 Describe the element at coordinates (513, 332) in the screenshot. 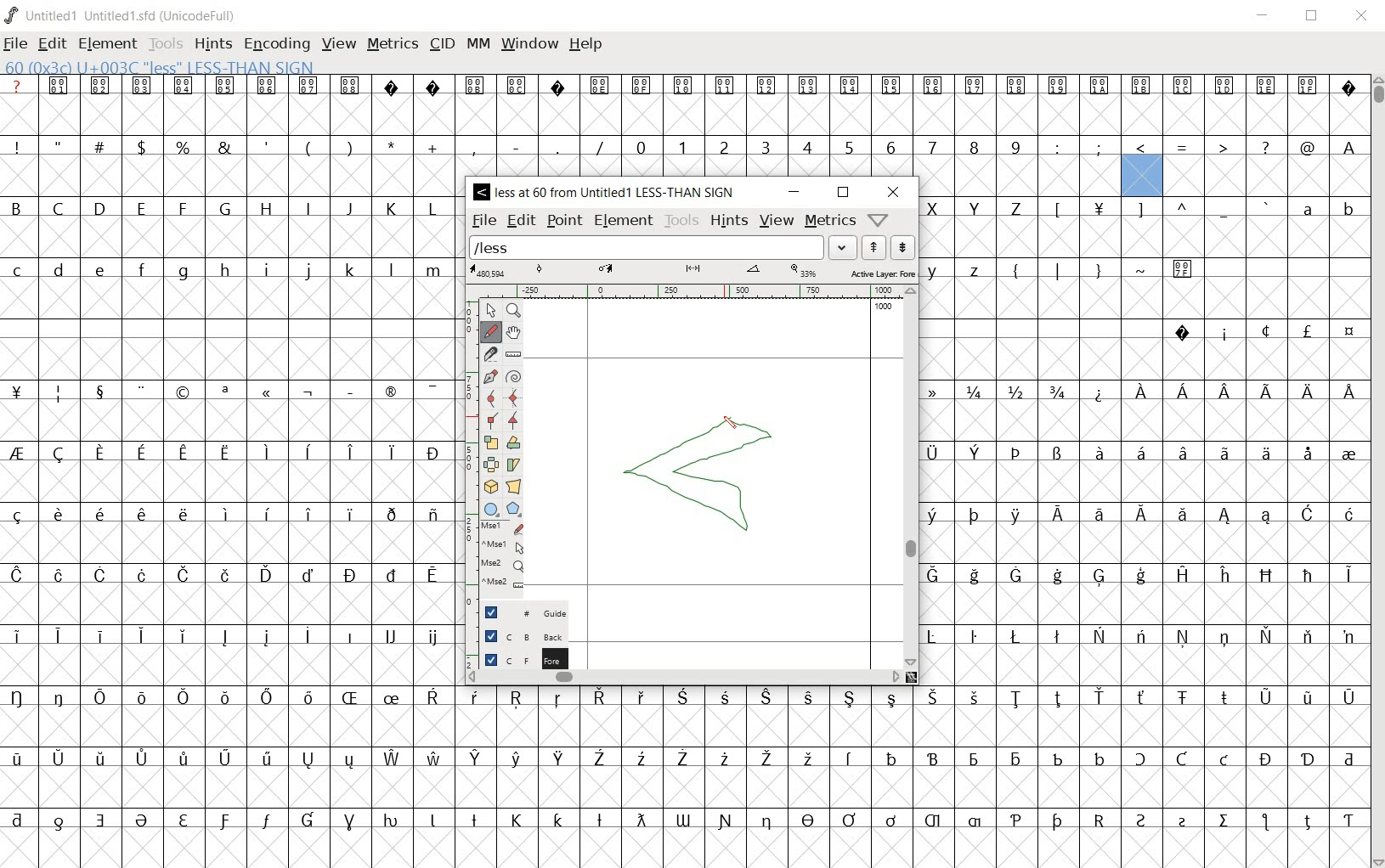

I see `scroll by hand` at that location.